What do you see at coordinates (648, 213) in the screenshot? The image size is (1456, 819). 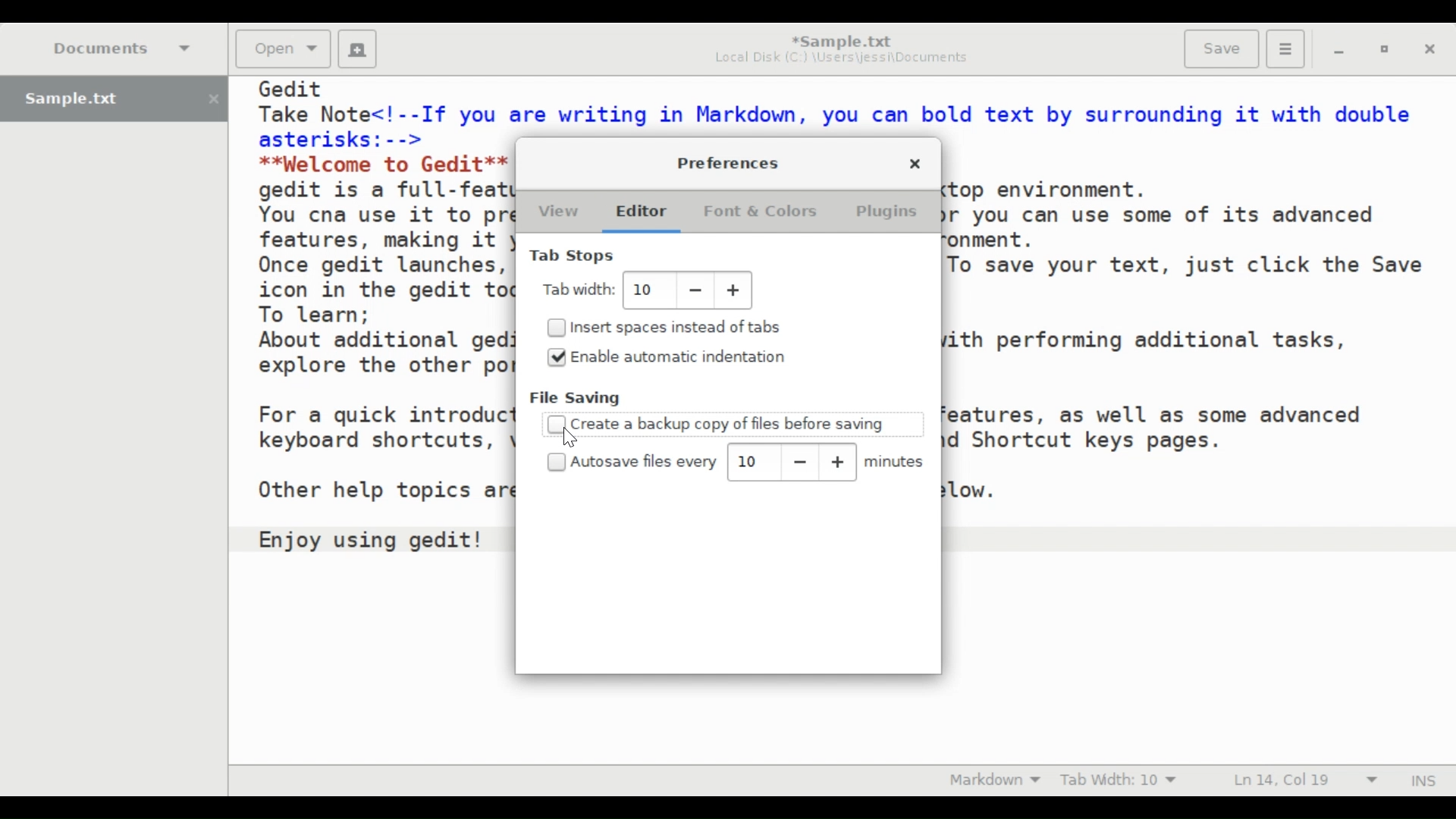 I see `Editor (current)` at bounding box center [648, 213].